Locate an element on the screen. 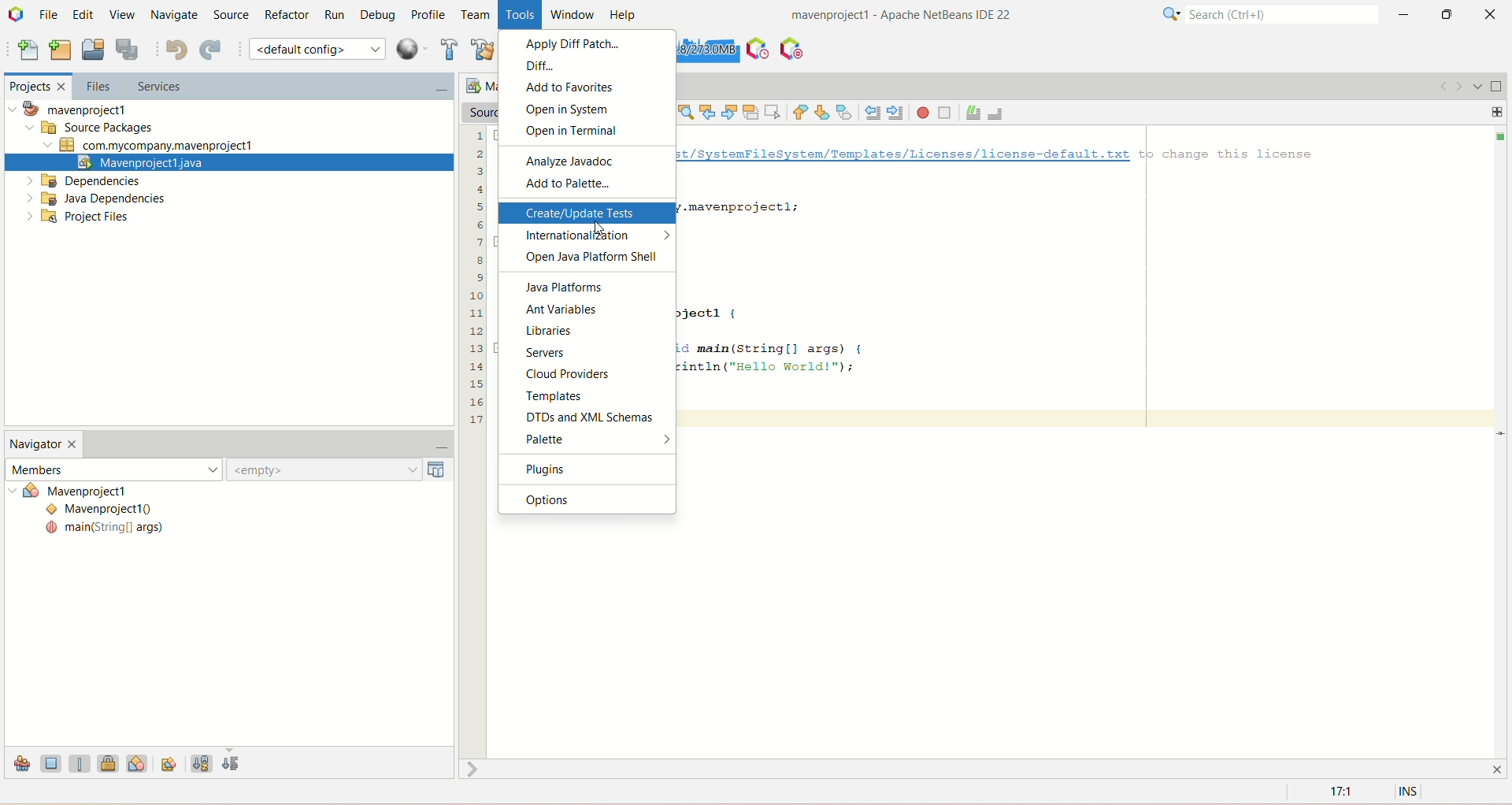 This screenshot has width=1512, height=805. 17:1 is located at coordinates (1339, 792).